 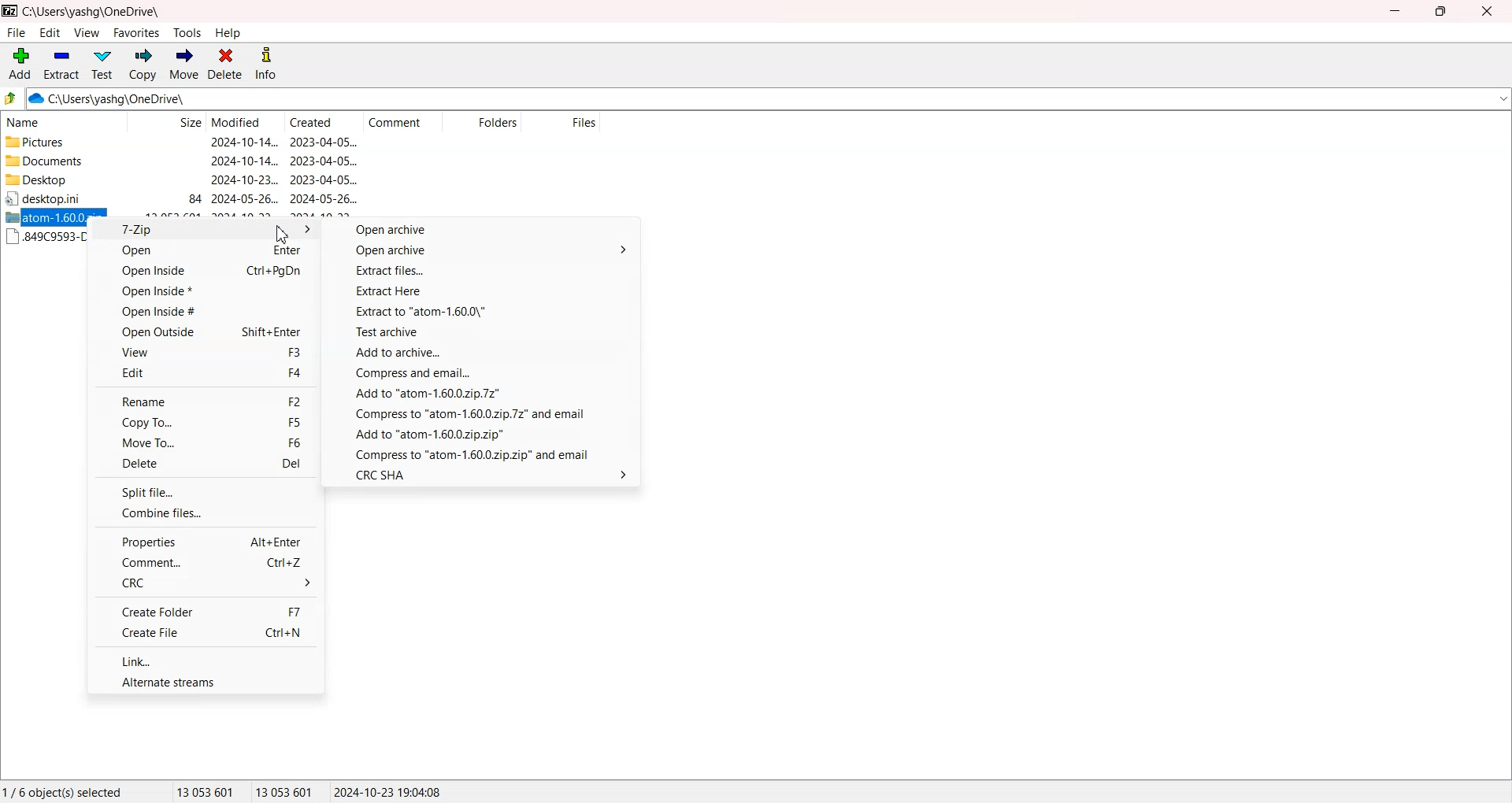 What do you see at coordinates (402, 123) in the screenshot?
I see `Comment` at bounding box center [402, 123].